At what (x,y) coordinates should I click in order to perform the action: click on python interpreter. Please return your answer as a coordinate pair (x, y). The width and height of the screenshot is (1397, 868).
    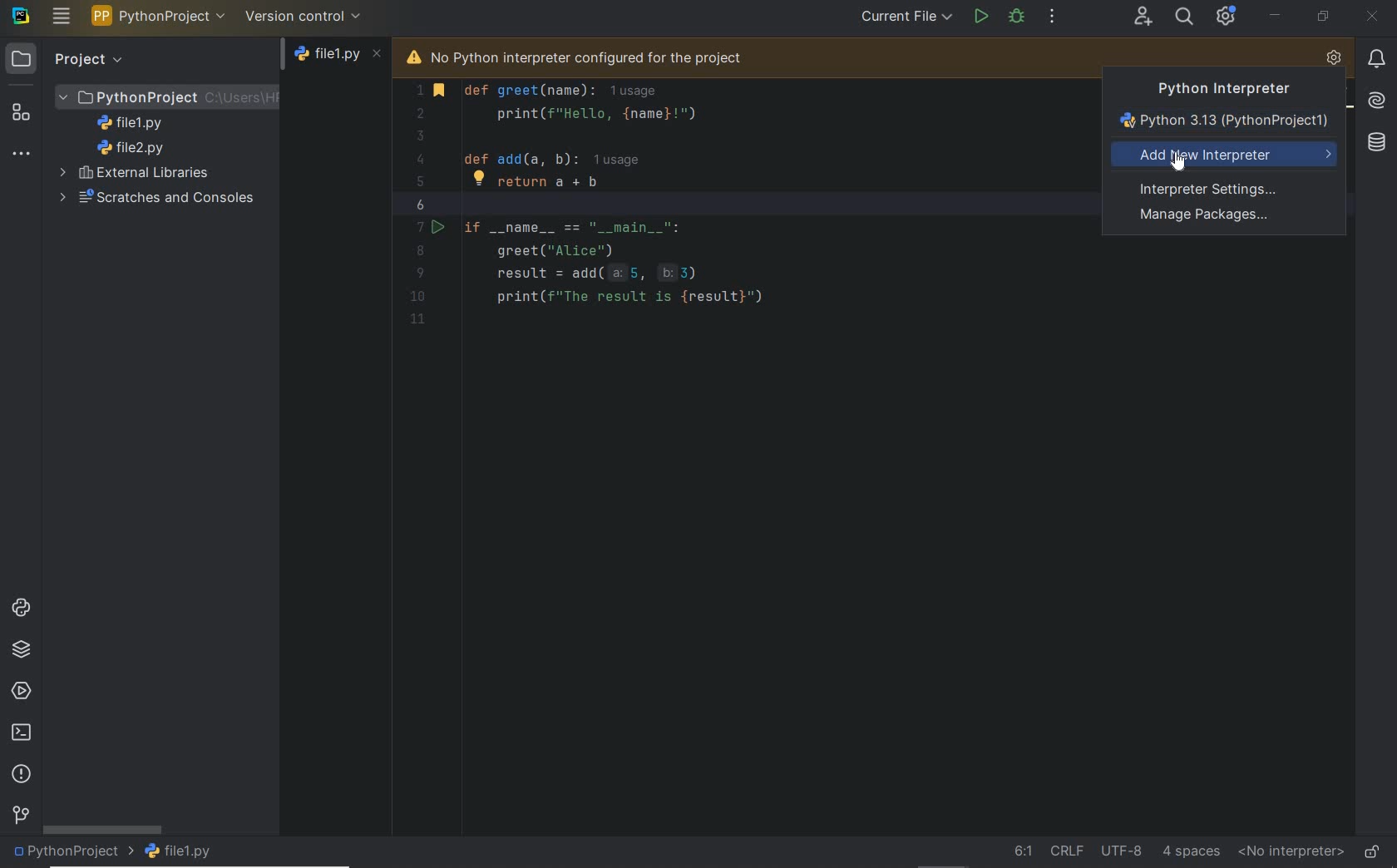
    Looking at the image, I should click on (1334, 59).